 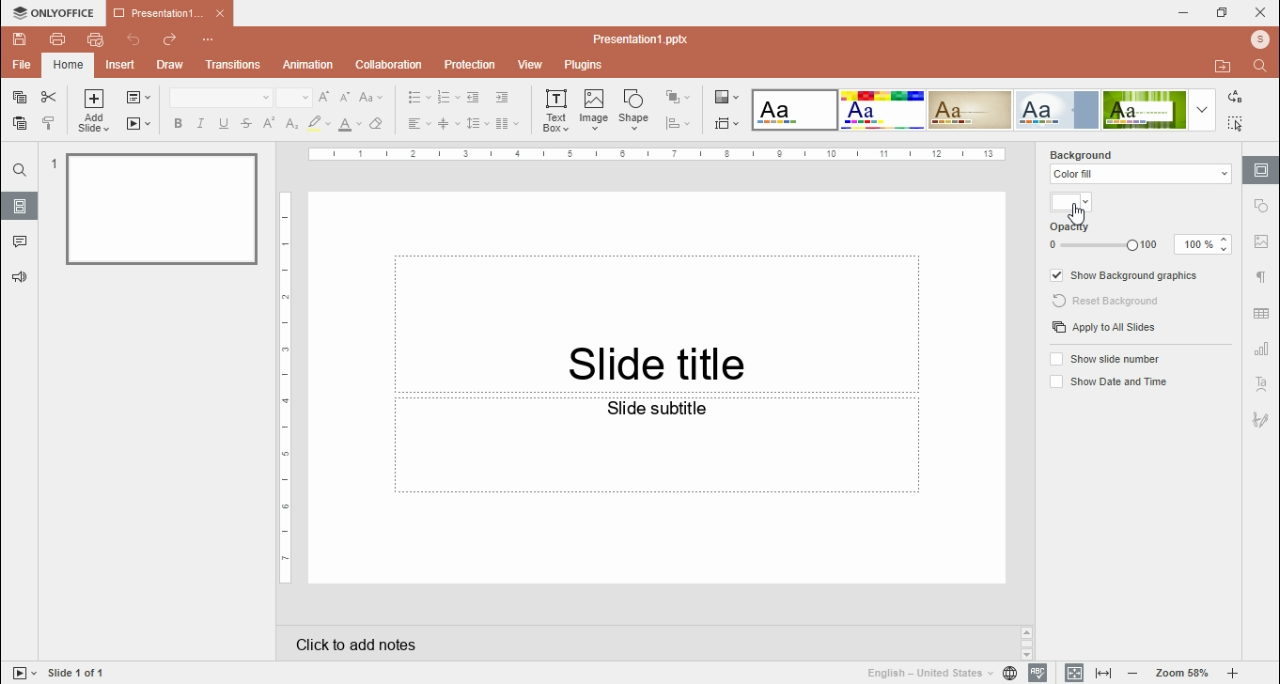 What do you see at coordinates (448, 124) in the screenshot?
I see `vertical align` at bounding box center [448, 124].